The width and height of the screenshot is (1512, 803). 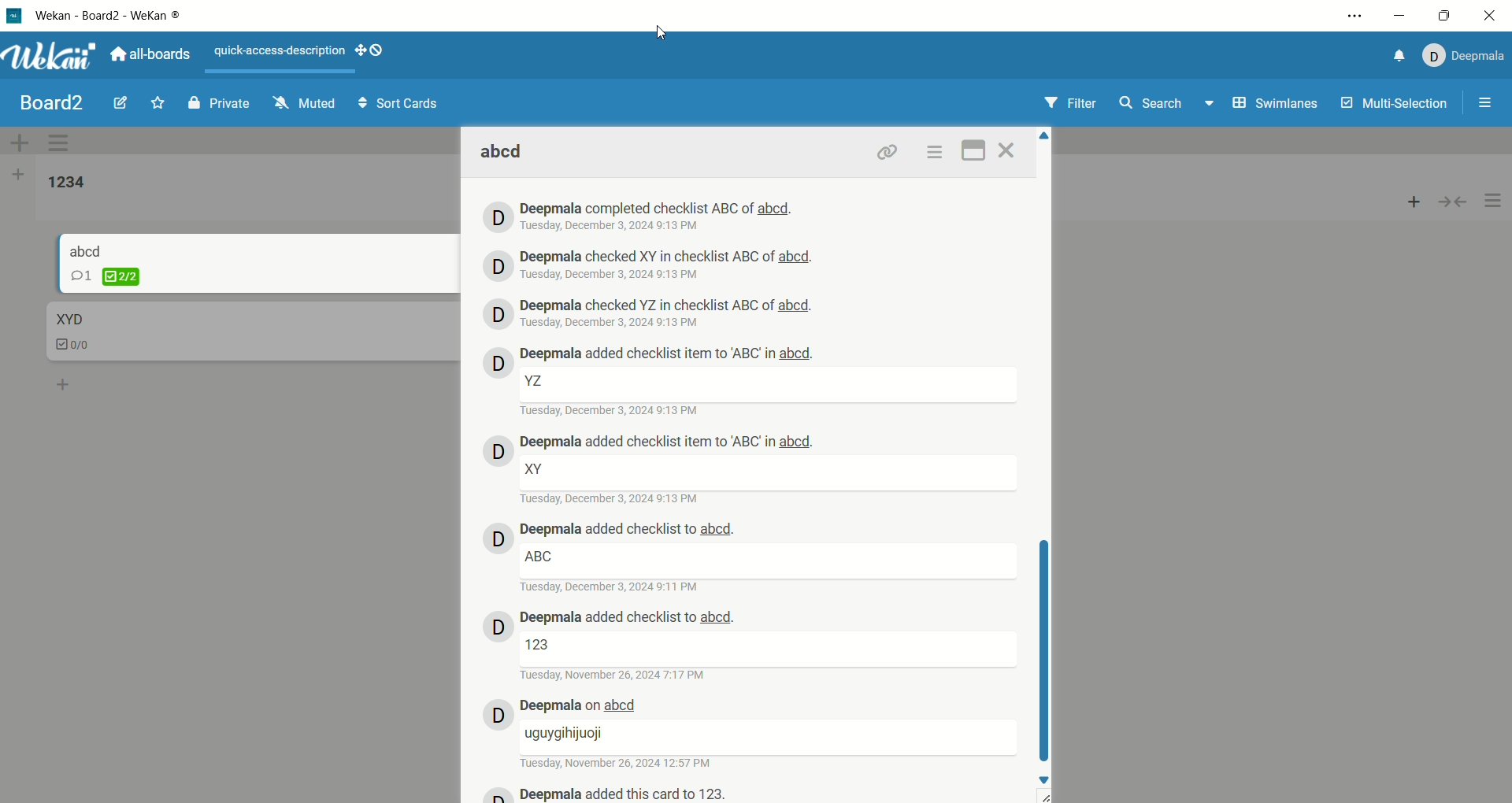 What do you see at coordinates (1168, 105) in the screenshot?
I see `search` at bounding box center [1168, 105].